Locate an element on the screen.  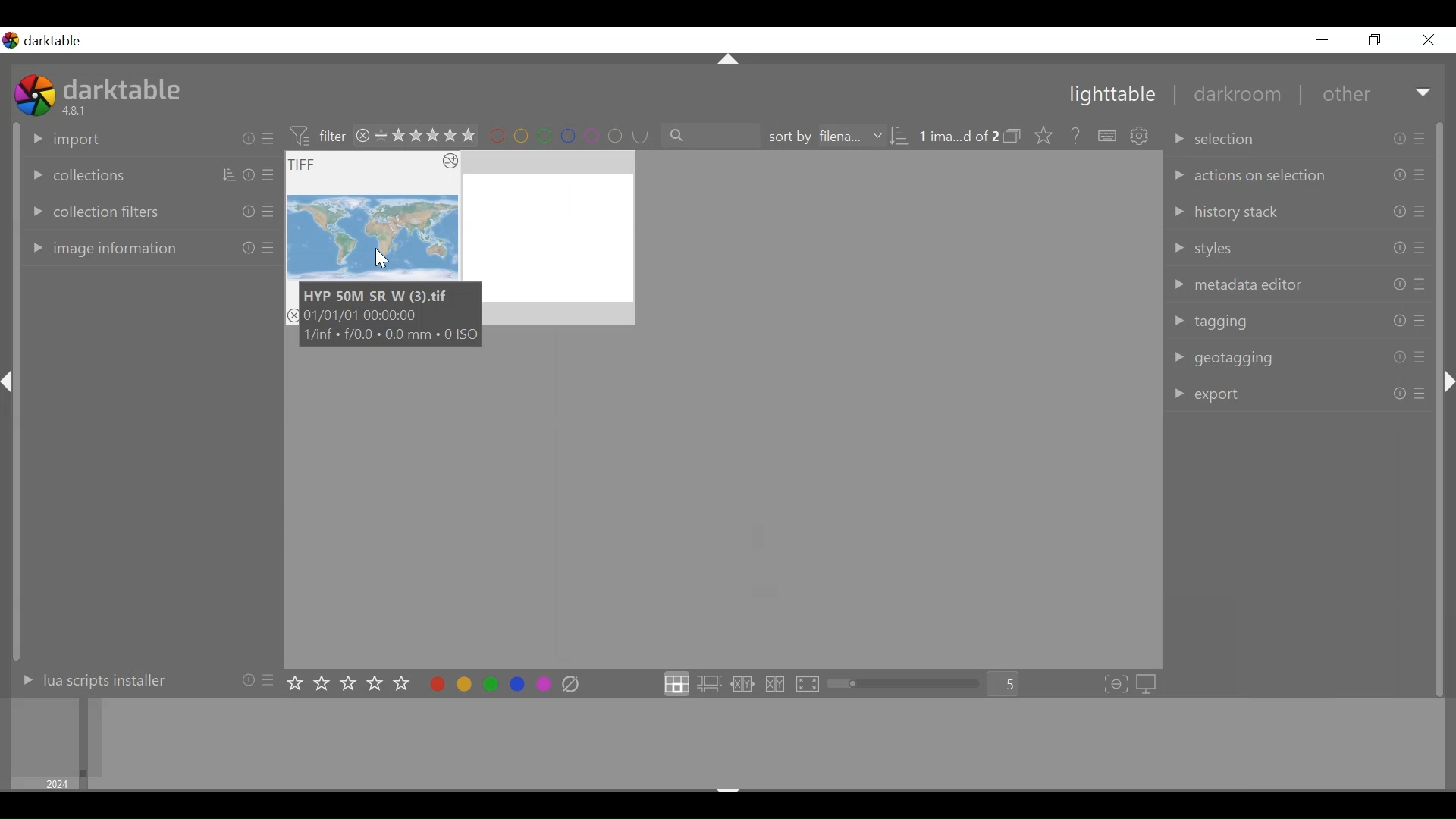
vertical scroll bar is located at coordinates (1439, 560).